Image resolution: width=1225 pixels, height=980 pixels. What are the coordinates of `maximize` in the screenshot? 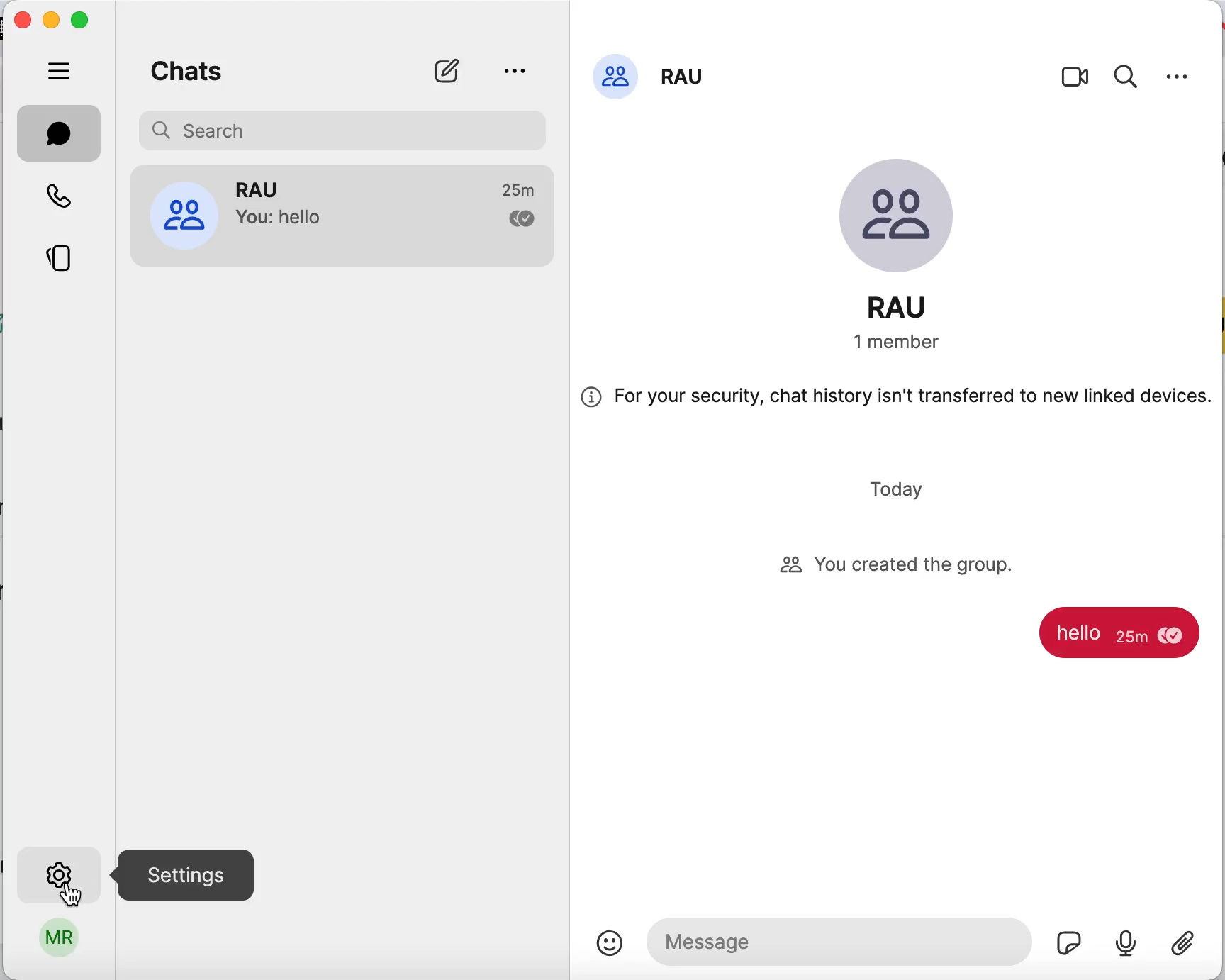 It's located at (84, 22).